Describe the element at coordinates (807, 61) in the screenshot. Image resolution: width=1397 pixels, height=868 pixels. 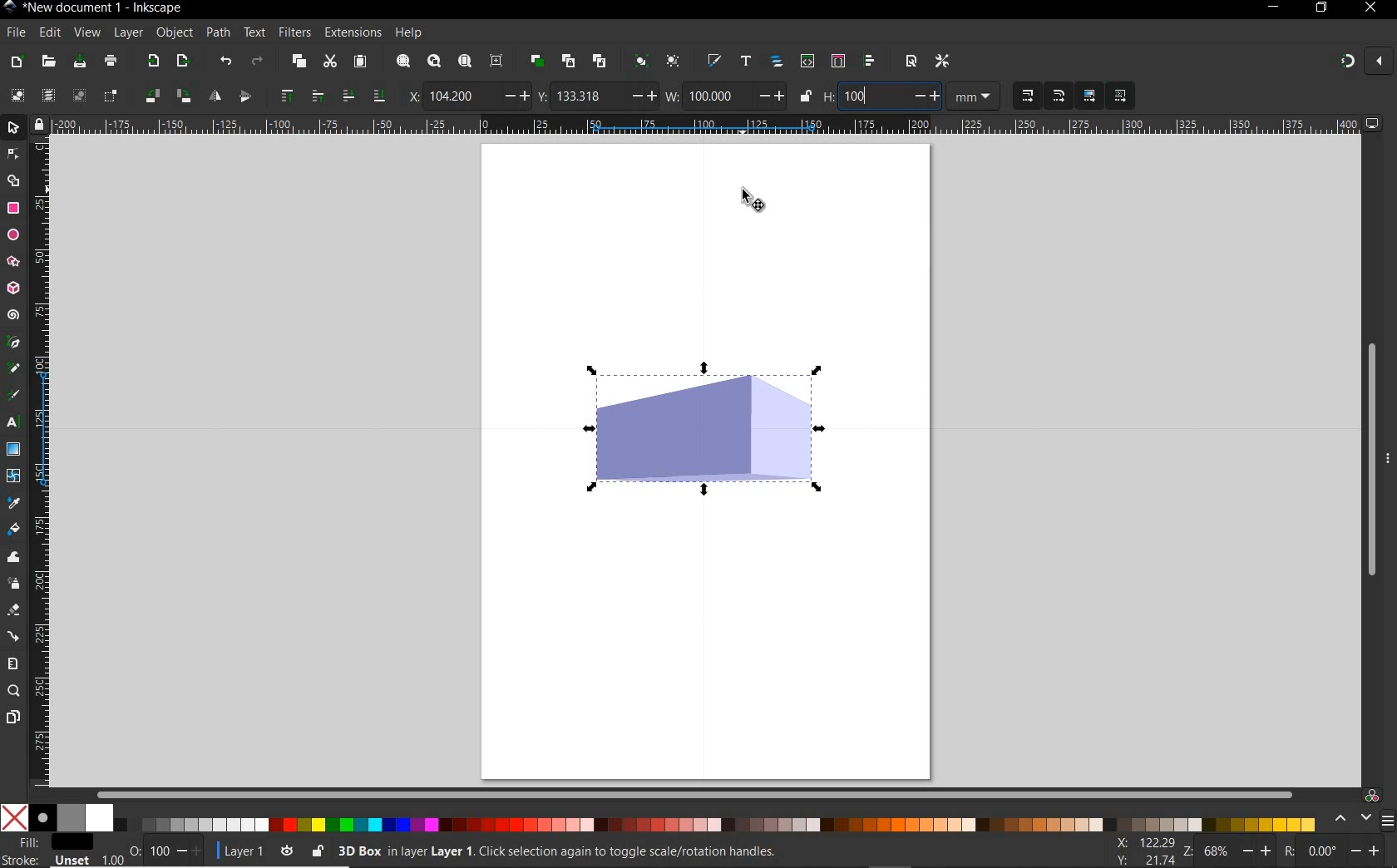
I see `open xml editor` at that location.